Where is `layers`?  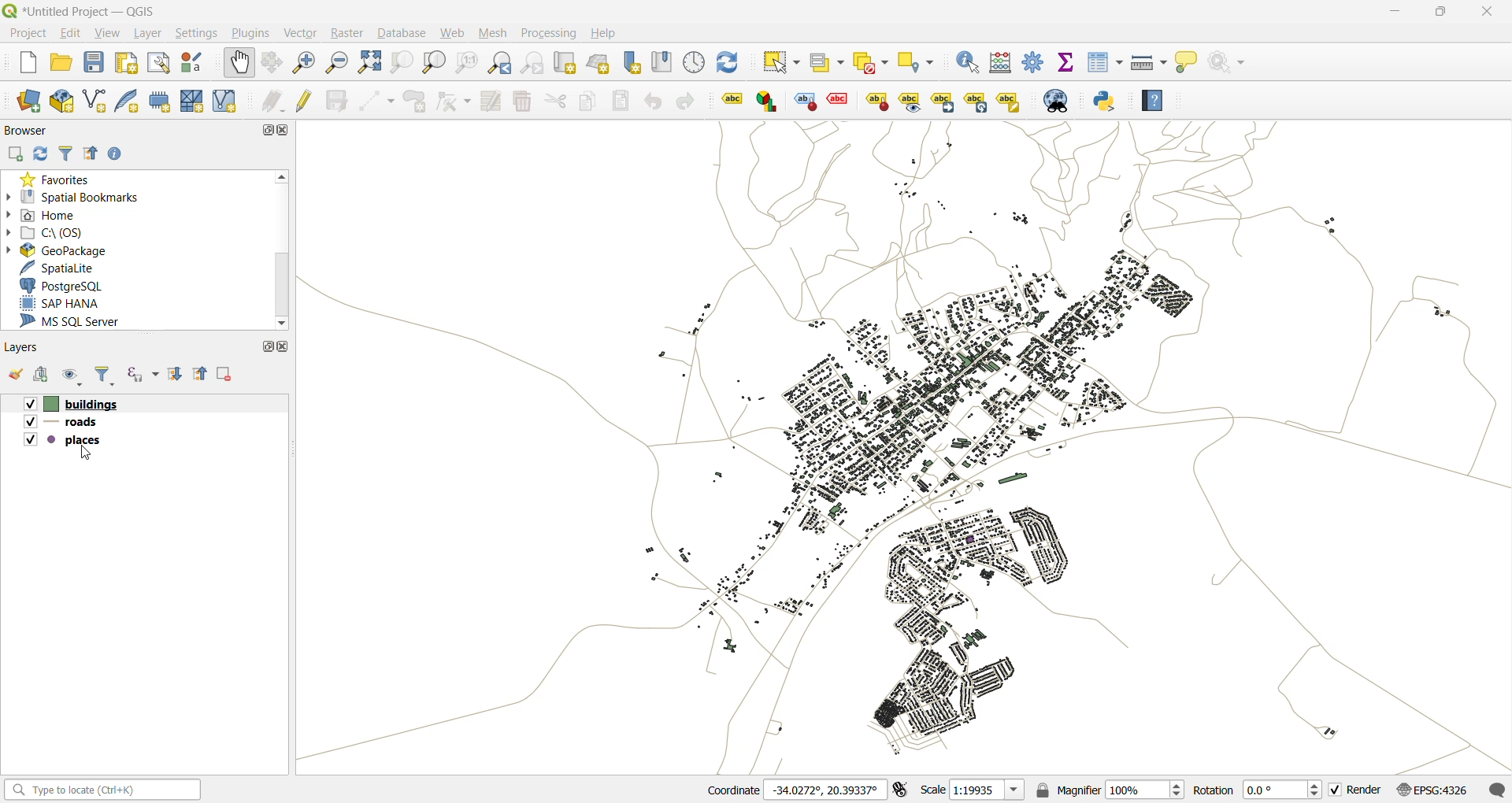 layers is located at coordinates (63, 438).